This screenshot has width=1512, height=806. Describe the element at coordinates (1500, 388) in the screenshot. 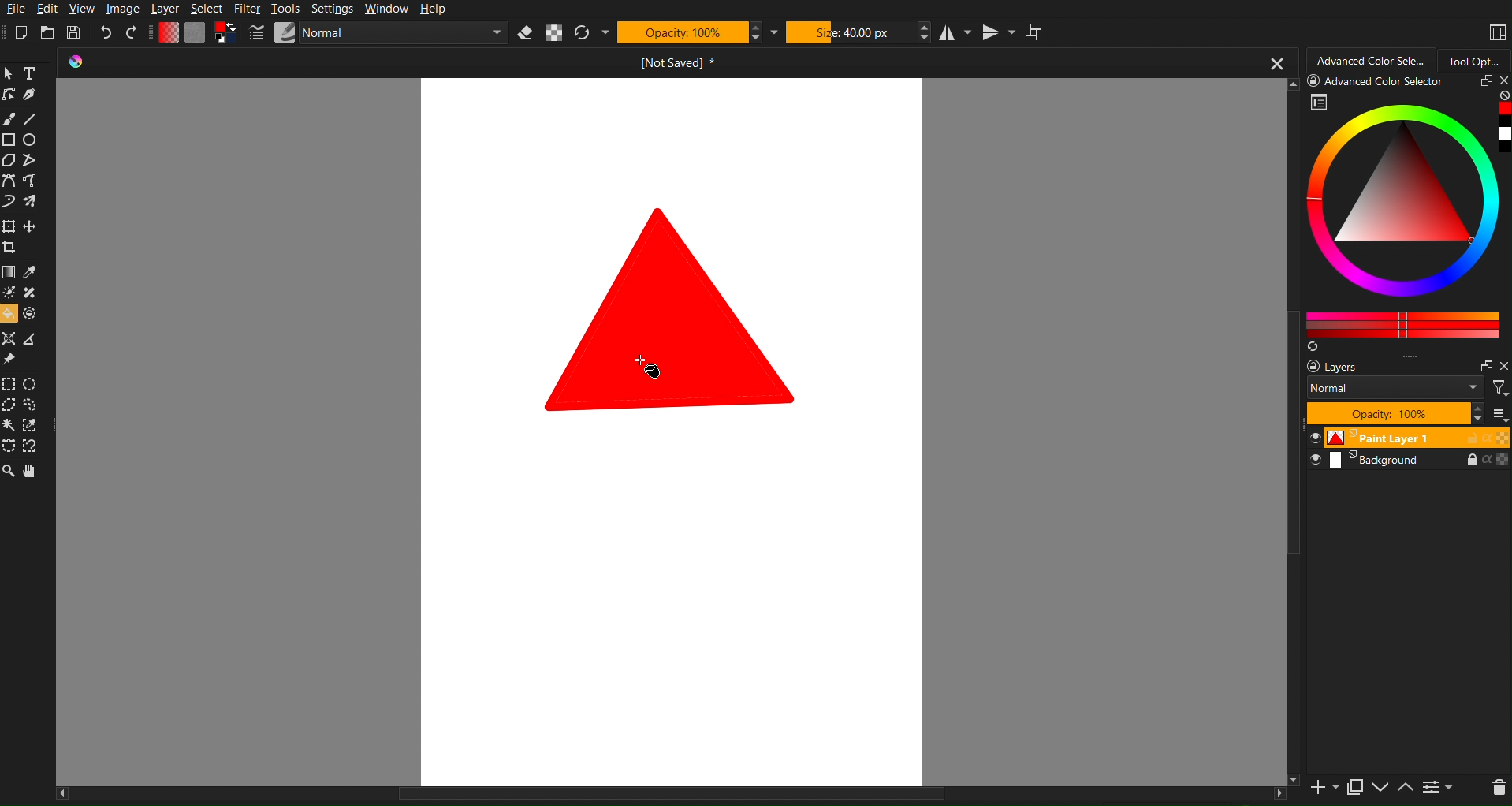

I see `filter` at that location.